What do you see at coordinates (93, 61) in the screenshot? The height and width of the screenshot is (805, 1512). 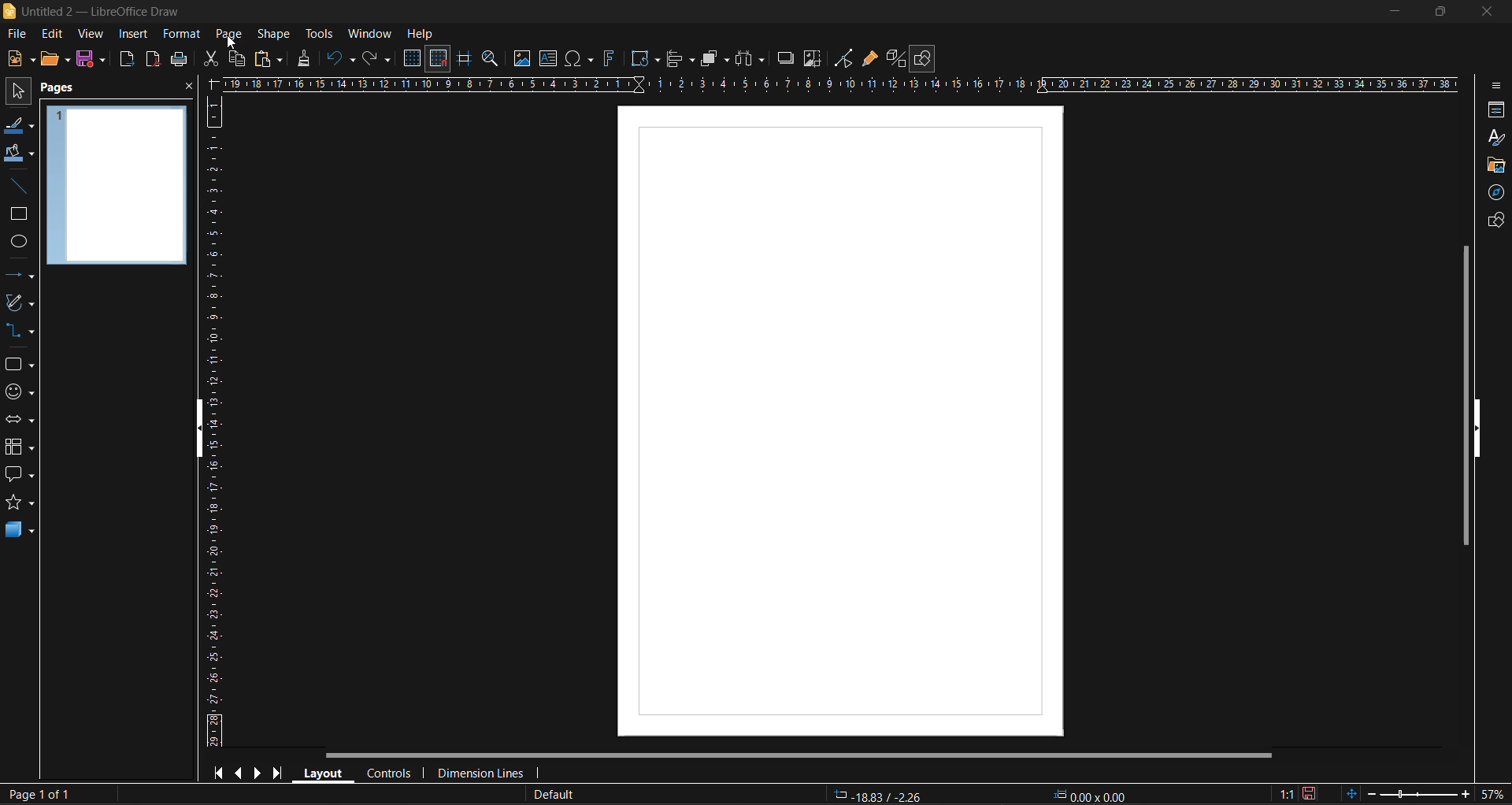 I see `save` at bounding box center [93, 61].